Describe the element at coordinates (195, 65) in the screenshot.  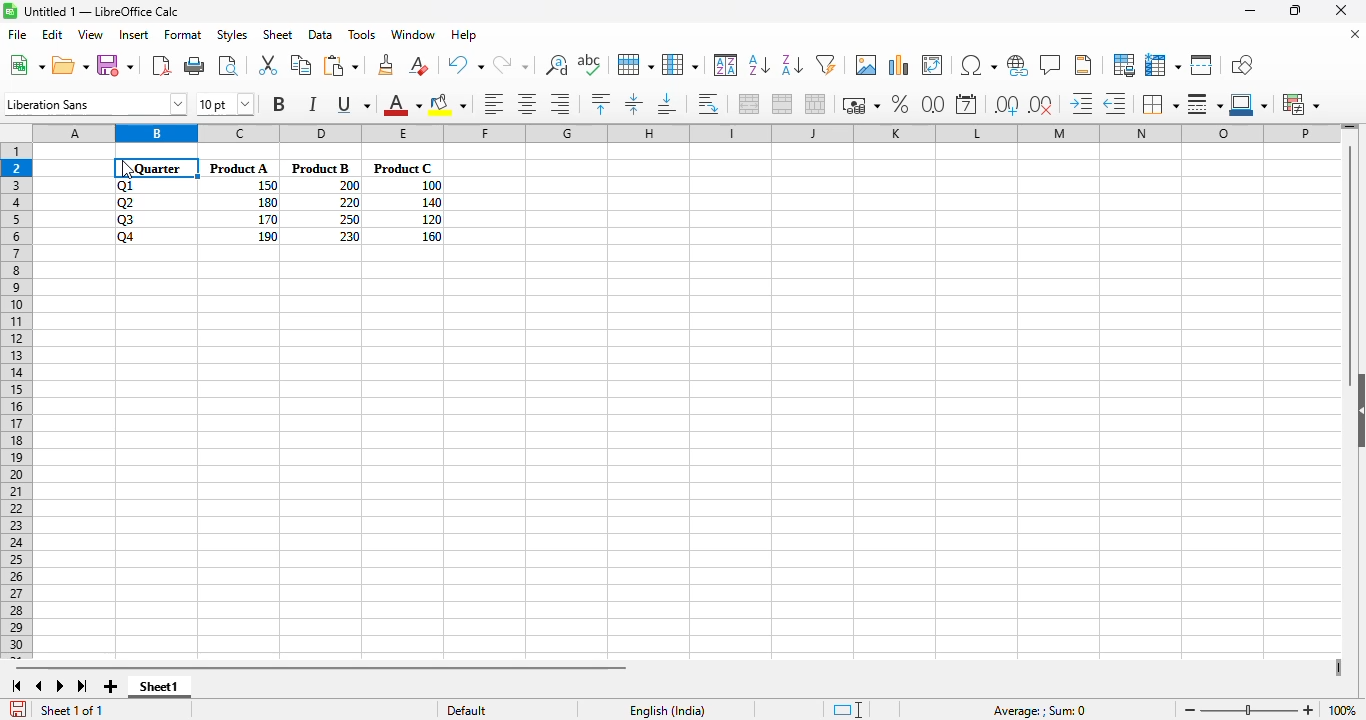
I see `print` at that location.